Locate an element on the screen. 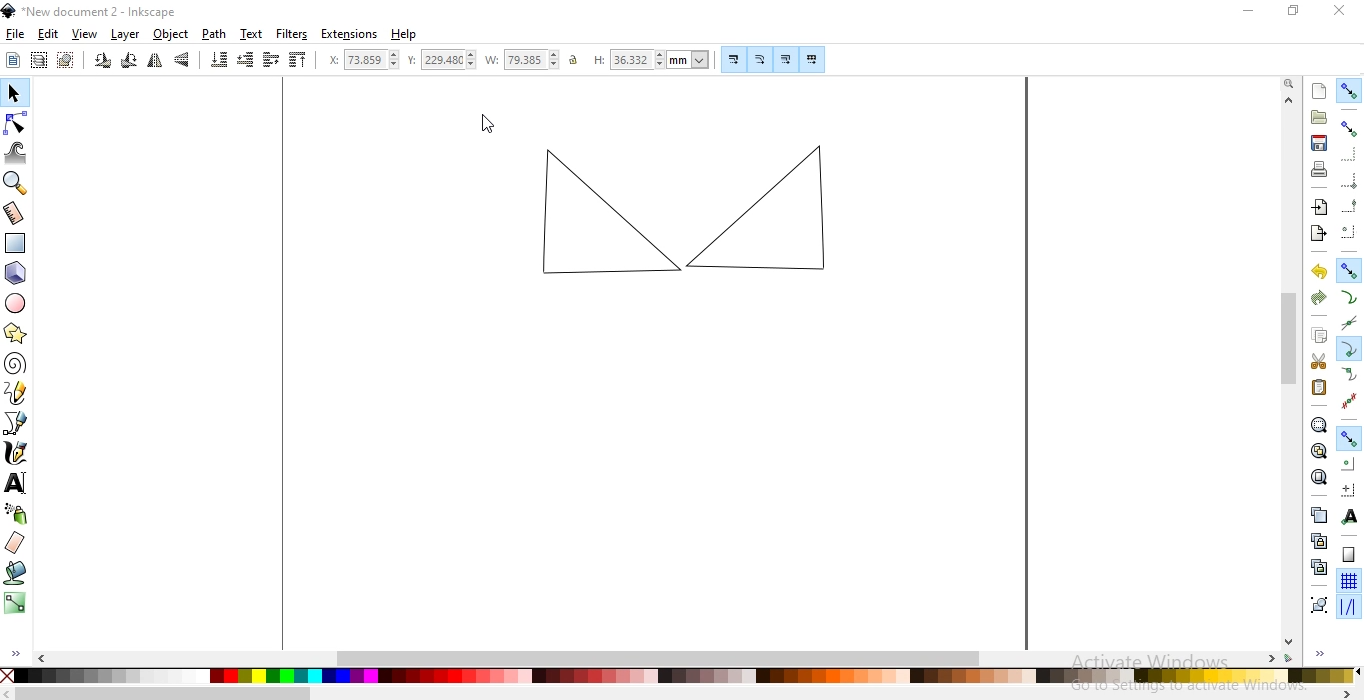 This screenshot has width=1364, height=700. create and edit text objects is located at coordinates (18, 484).